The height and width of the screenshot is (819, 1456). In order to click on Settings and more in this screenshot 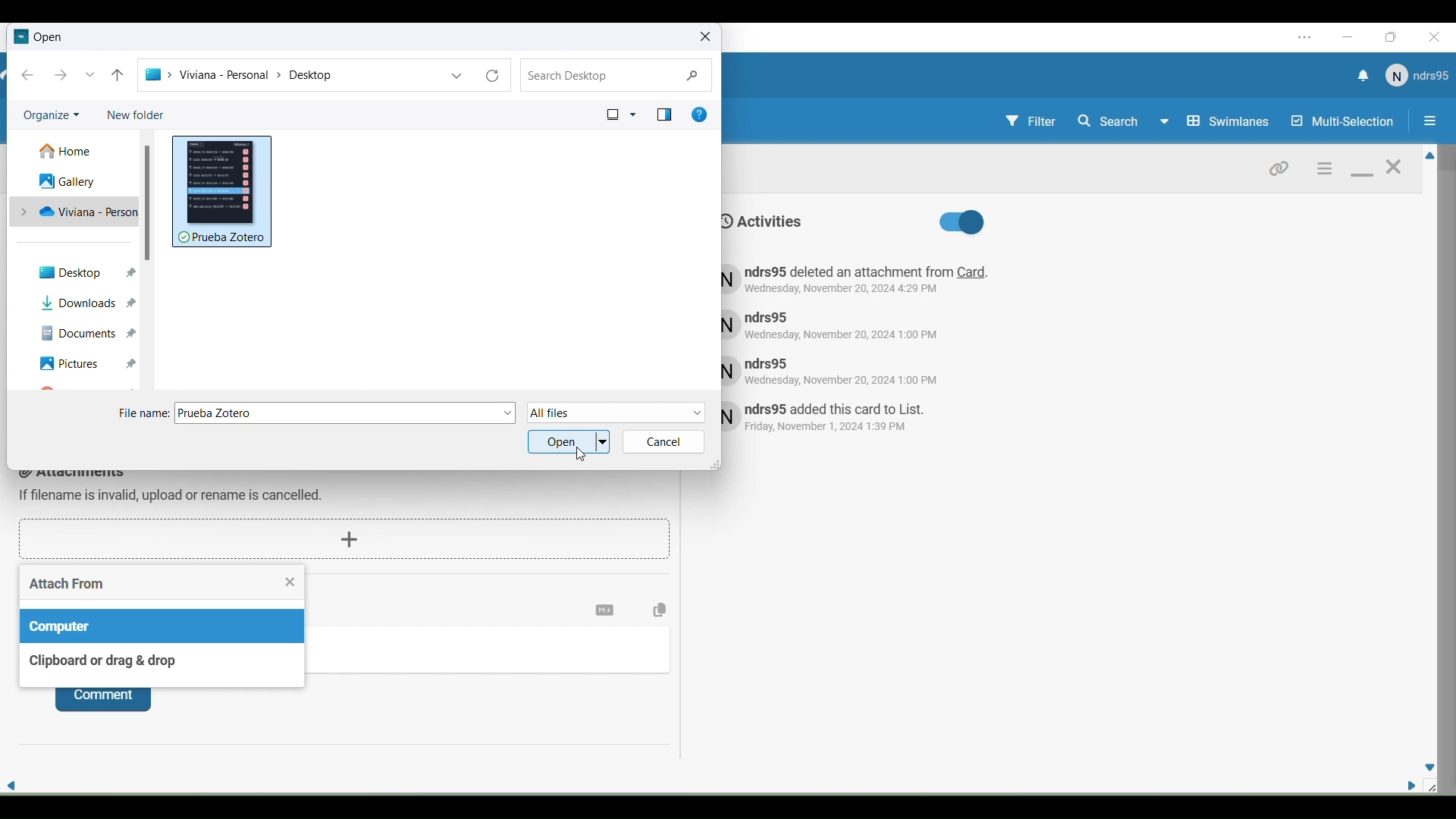, I will do `click(1306, 37)`.